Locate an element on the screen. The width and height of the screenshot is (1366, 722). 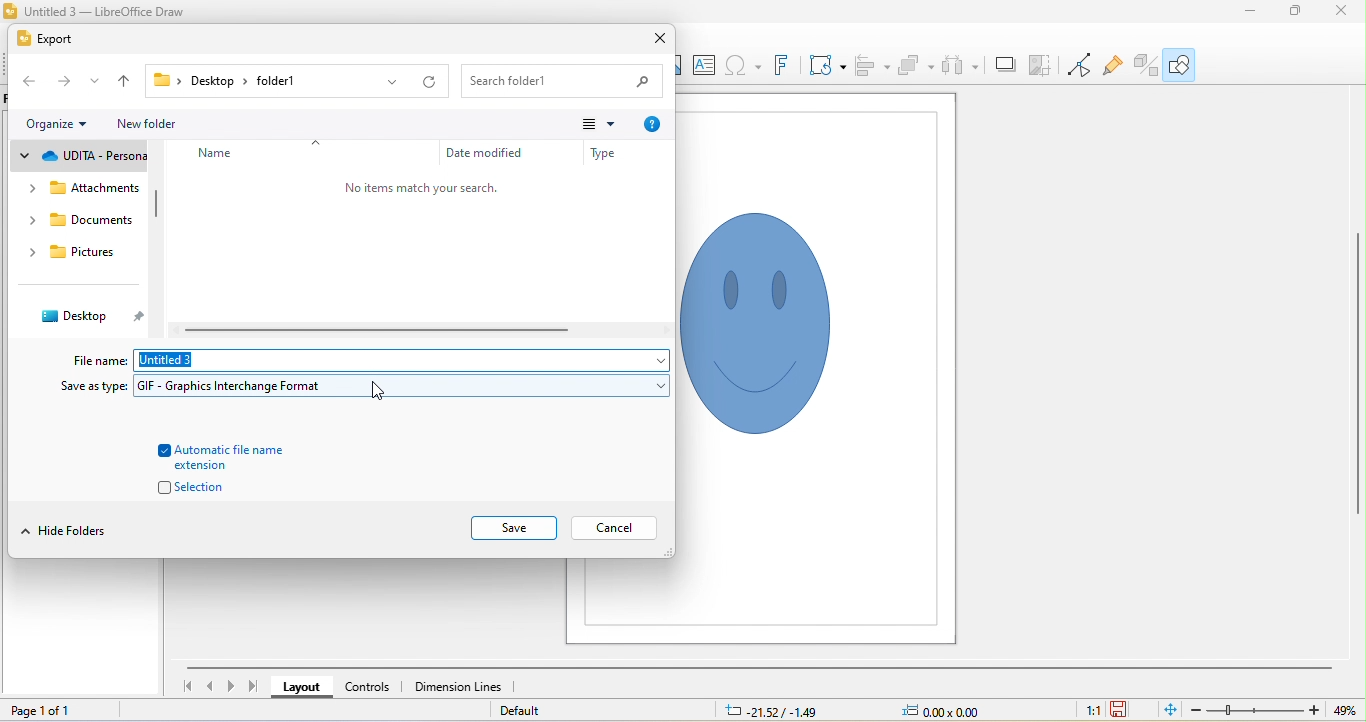
cursor movement is located at coordinates (378, 389).